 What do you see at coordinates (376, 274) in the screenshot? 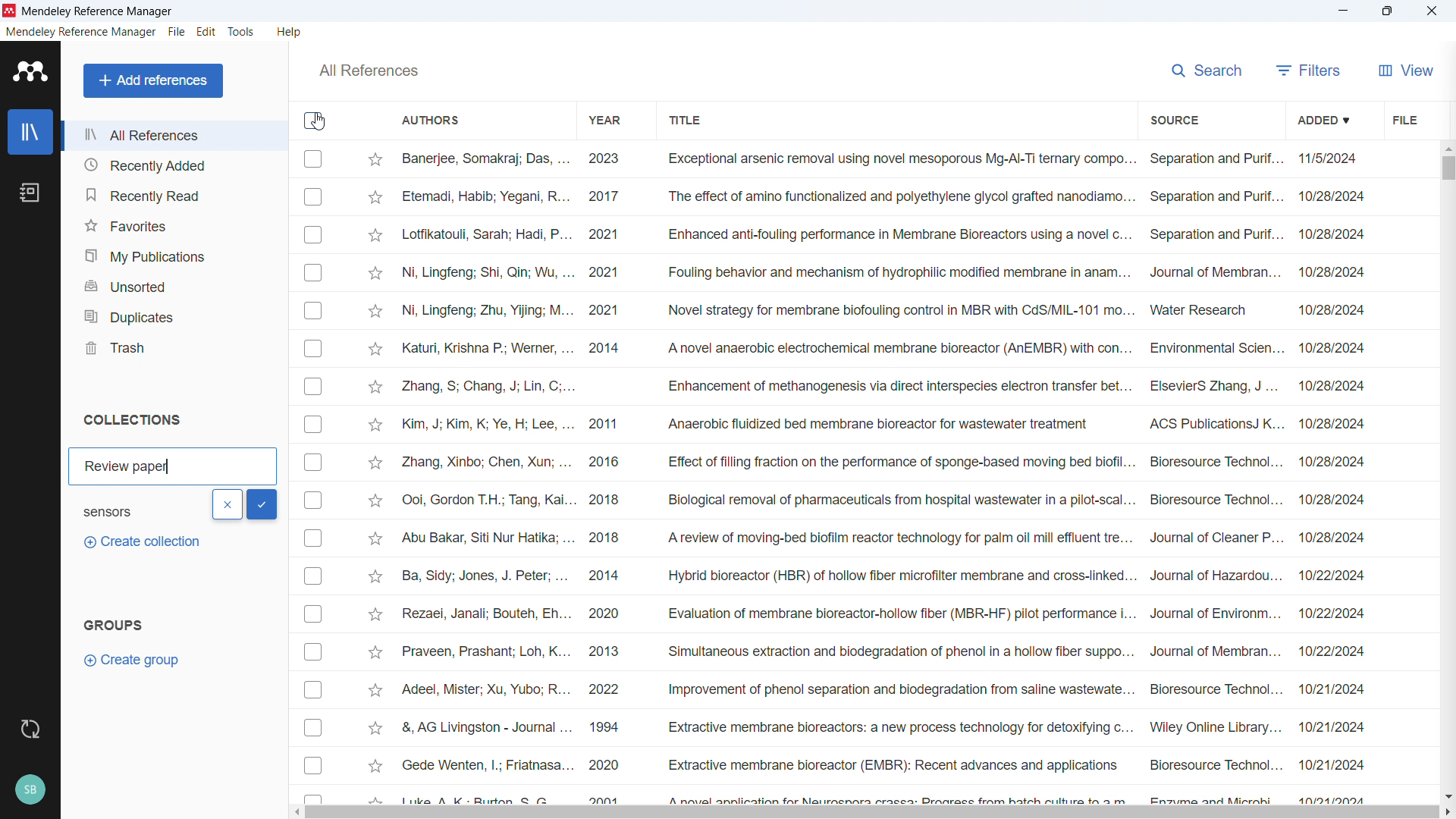
I see `Star mark respective publication` at bounding box center [376, 274].